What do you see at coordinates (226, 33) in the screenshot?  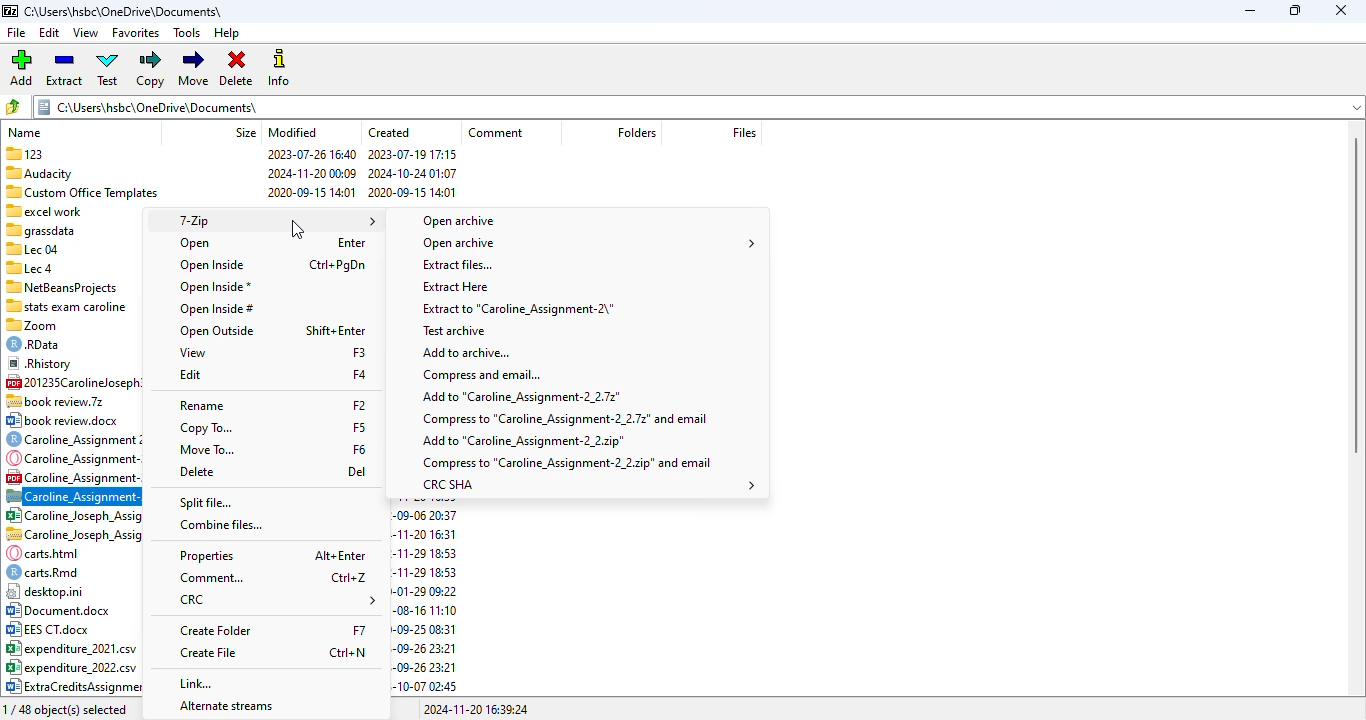 I see `help` at bounding box center [226, 33].